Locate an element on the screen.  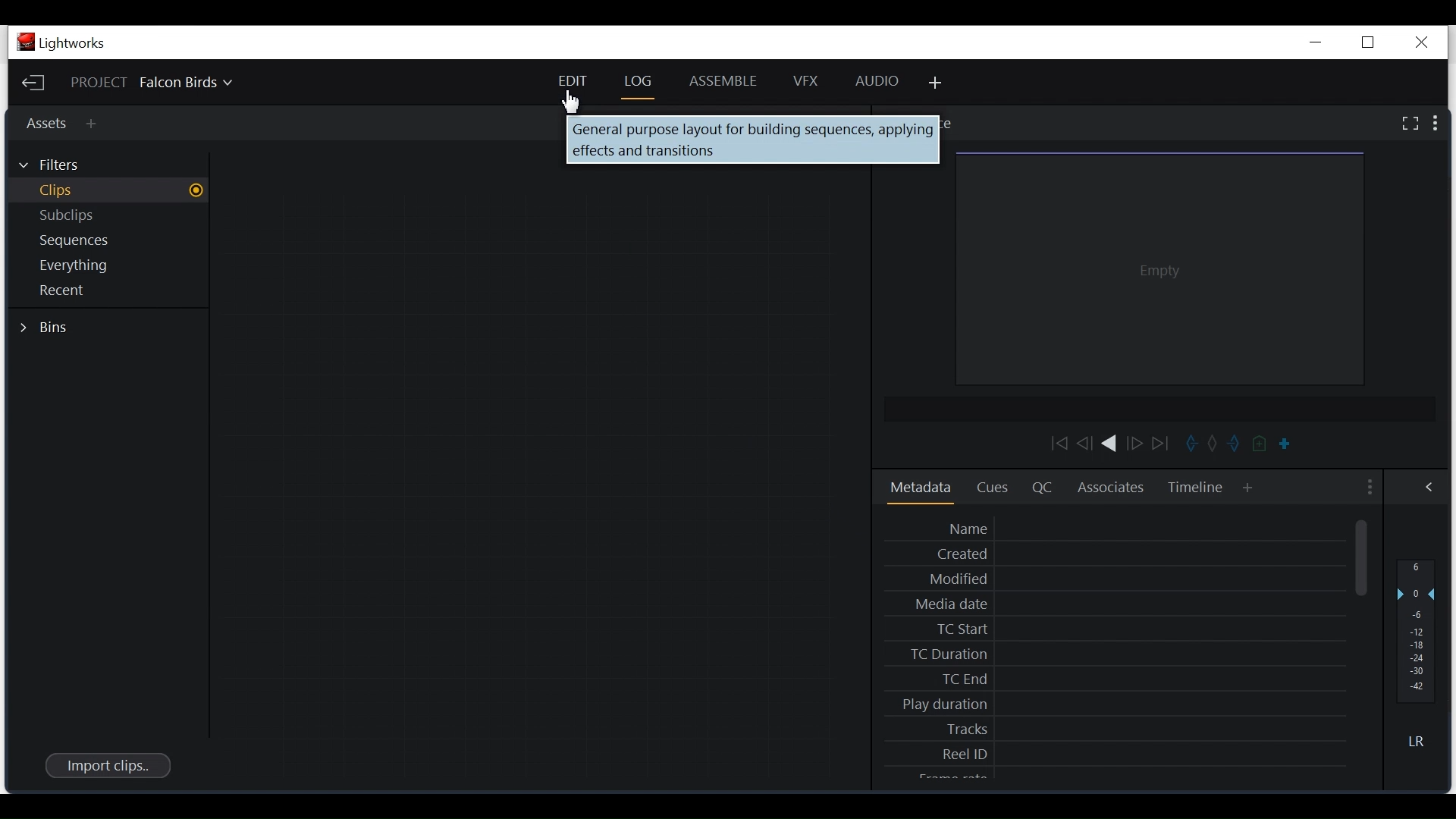
Modified is located at coordinates (1122, 578).